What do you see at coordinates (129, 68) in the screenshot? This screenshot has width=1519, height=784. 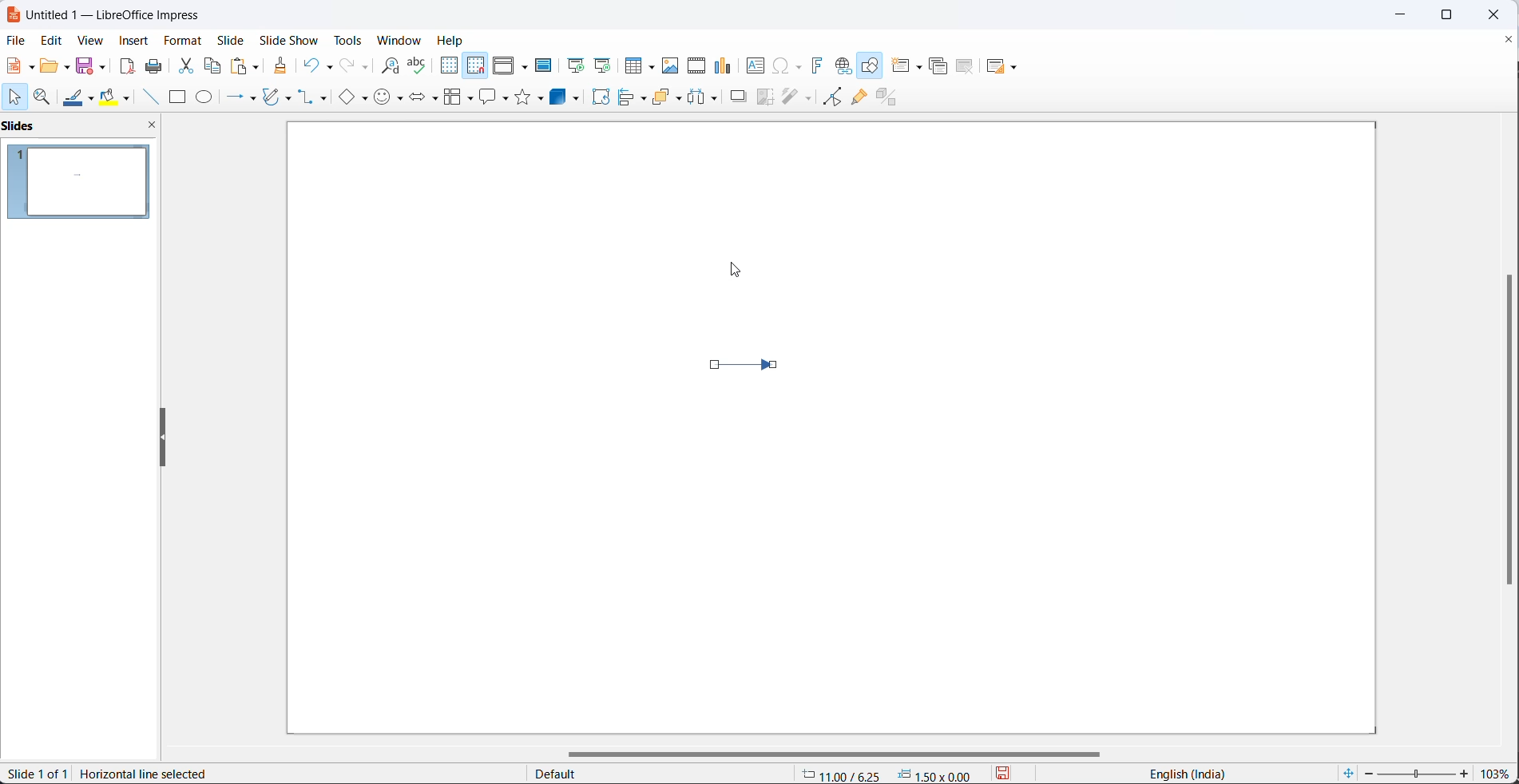 I see `export as pdf` at bounding box center [129, 68].